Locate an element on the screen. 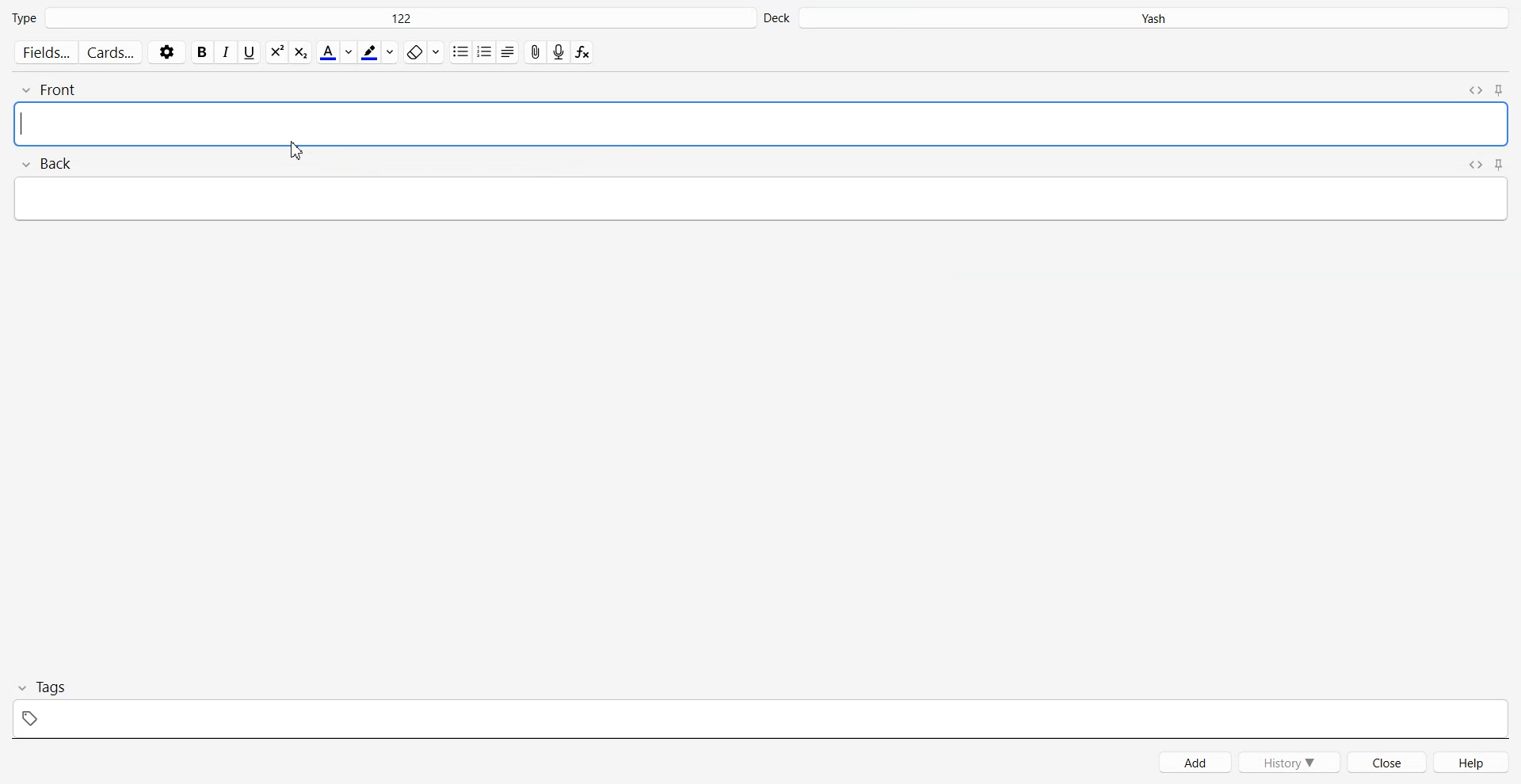 Image resolution: width=1521 pixels, height=784 pixels. Back is located at coordinates (761, 190).